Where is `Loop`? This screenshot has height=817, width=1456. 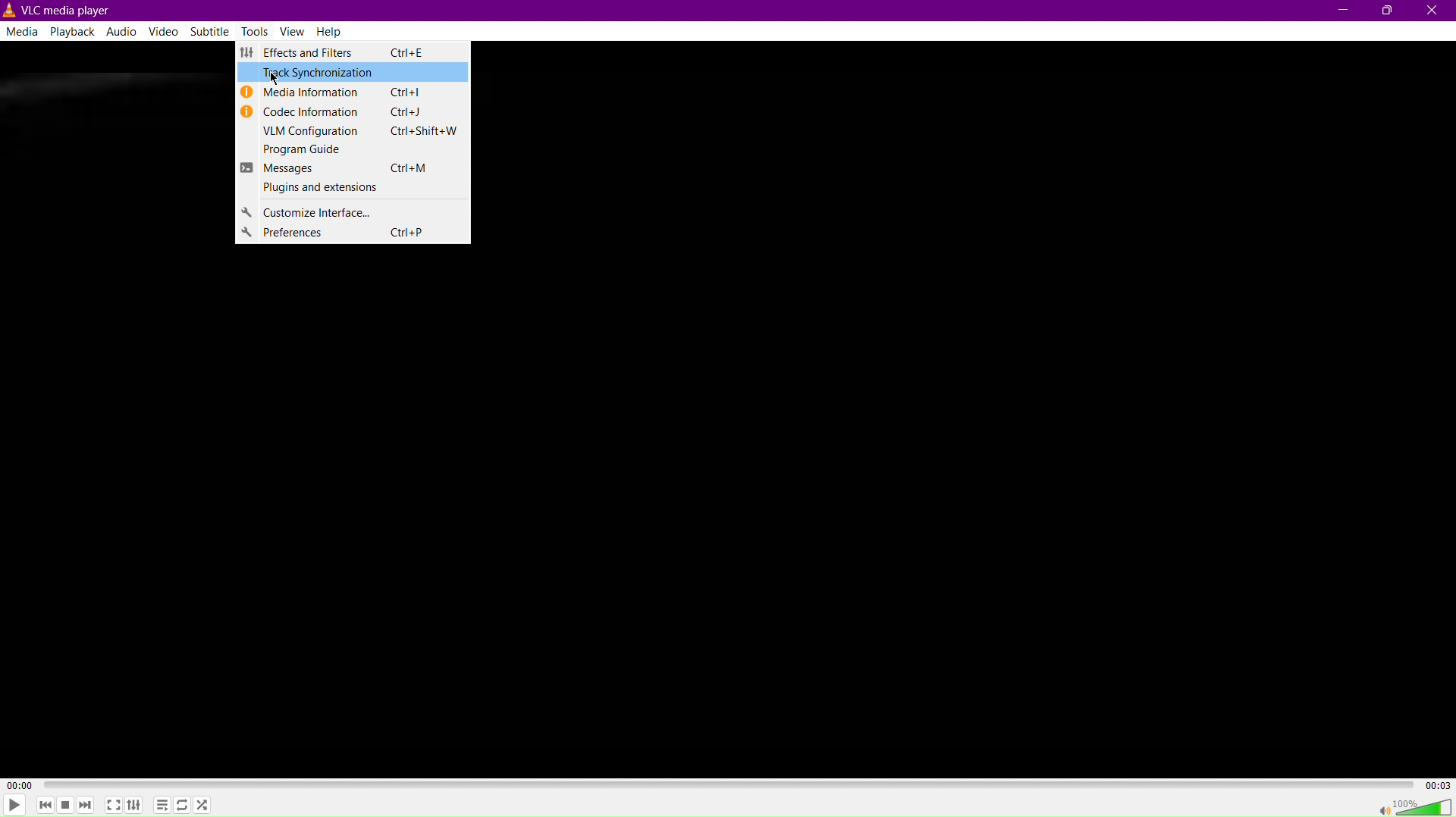
Loop is located at coordinates (184, 804).